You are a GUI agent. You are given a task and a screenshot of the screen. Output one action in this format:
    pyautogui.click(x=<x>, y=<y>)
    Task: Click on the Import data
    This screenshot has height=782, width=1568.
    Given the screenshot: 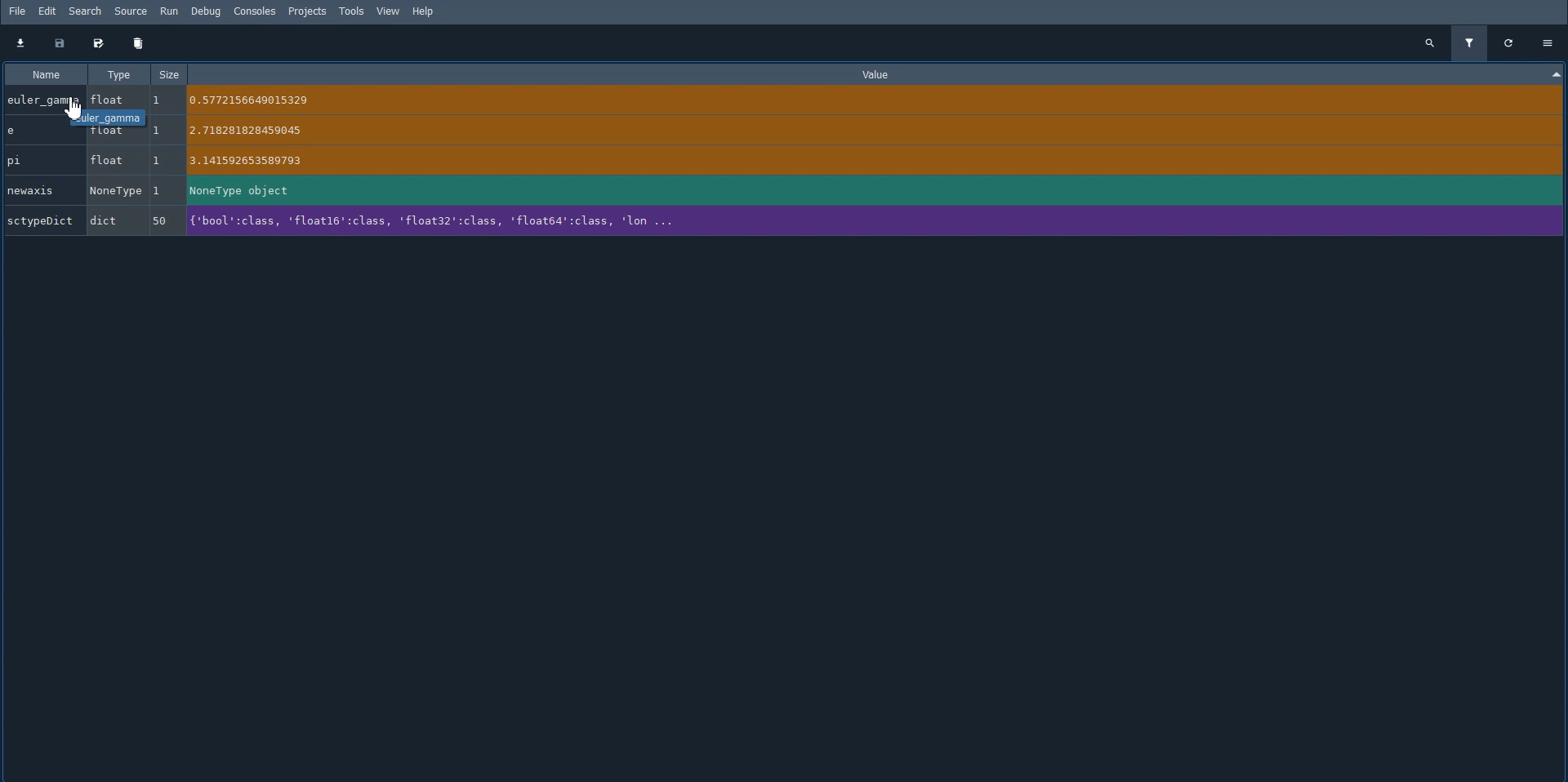 What is the action you would take?
    pyautogui.click(x=21, y=43)
    